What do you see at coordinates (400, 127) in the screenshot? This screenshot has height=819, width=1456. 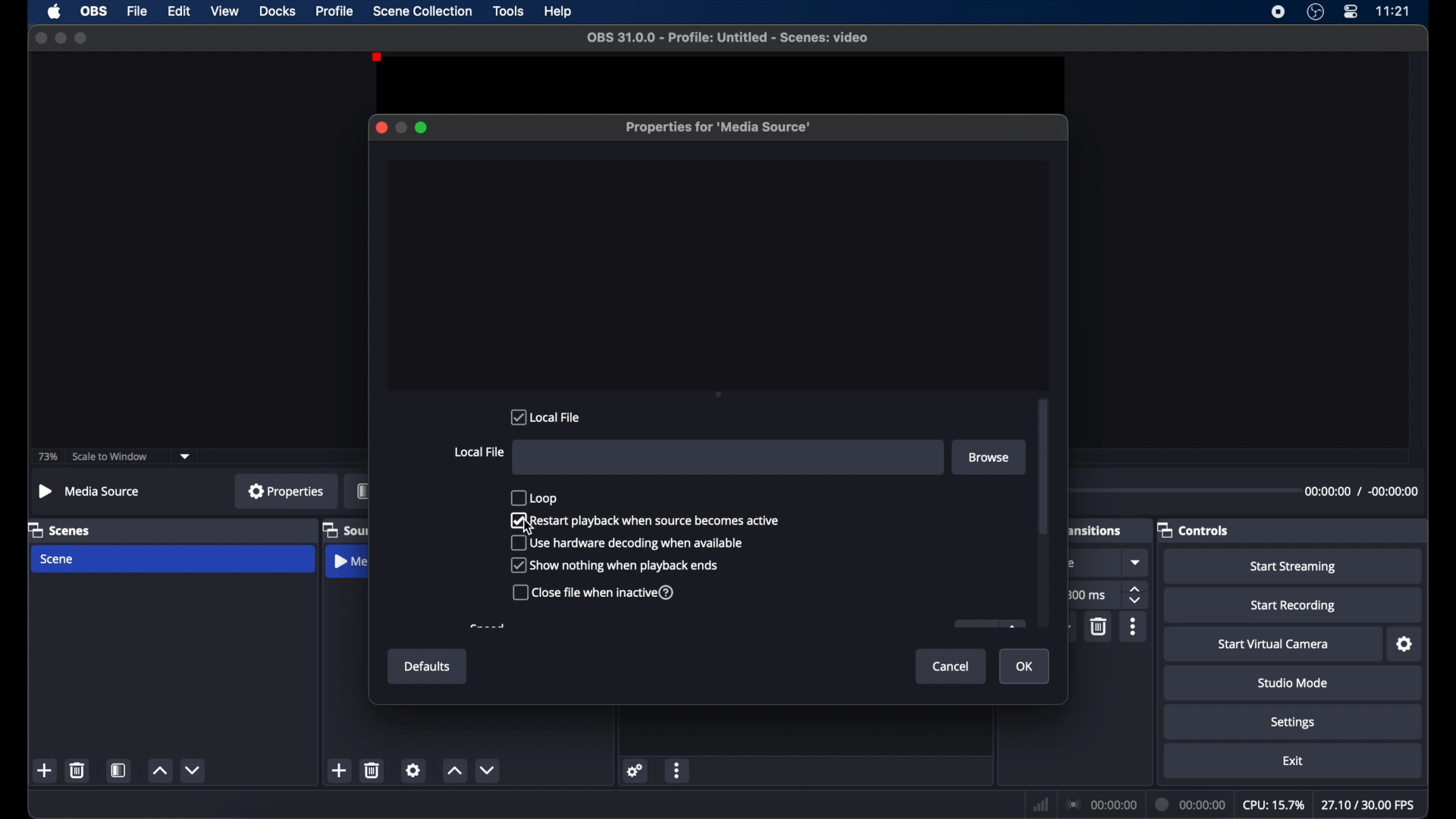 I see `minimize` at bounding box center [400, 127].